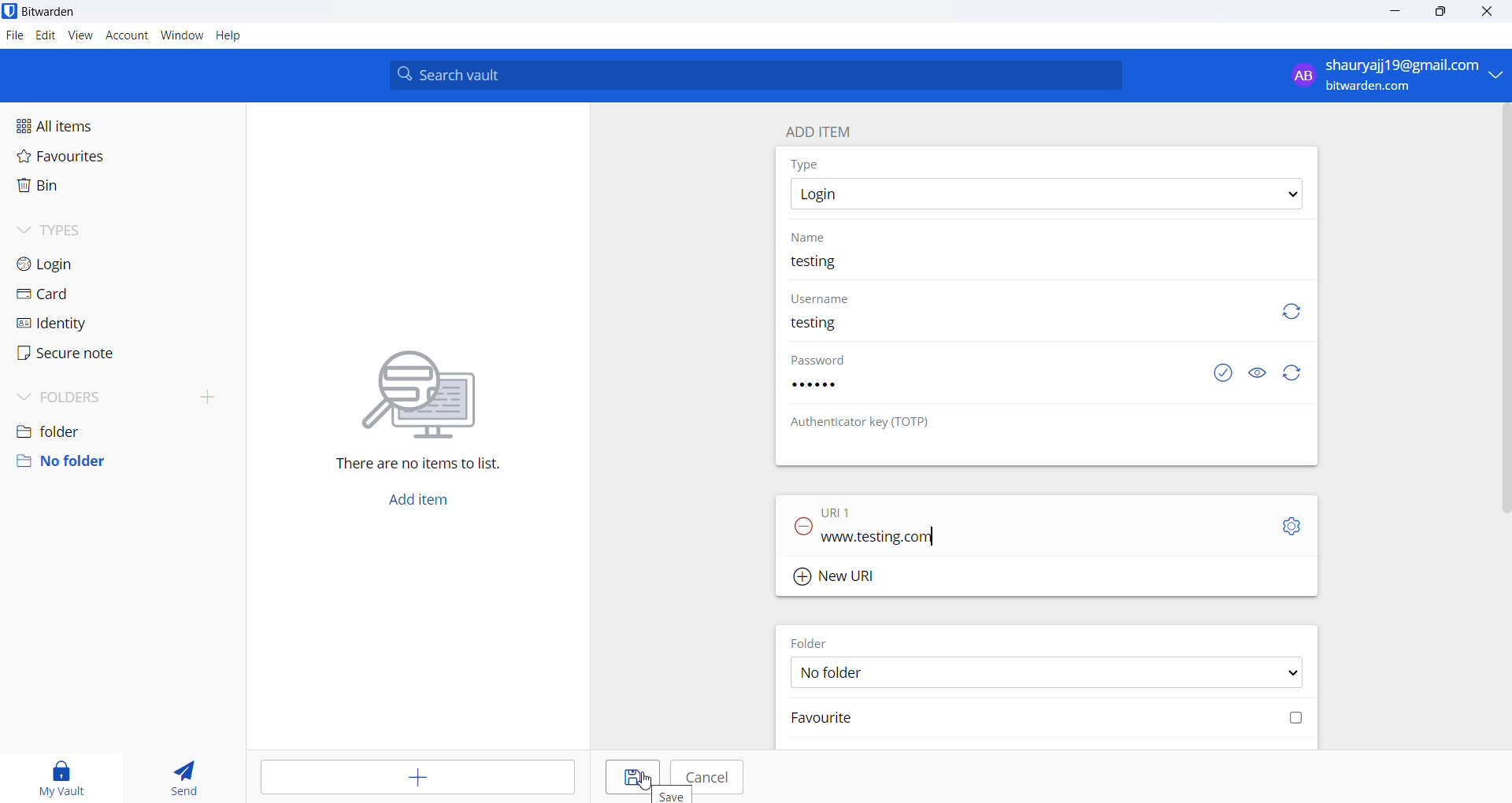 Image resolution: width=1512 pixels, height=803 pixels. I want to click on all items, so click(91, 123).